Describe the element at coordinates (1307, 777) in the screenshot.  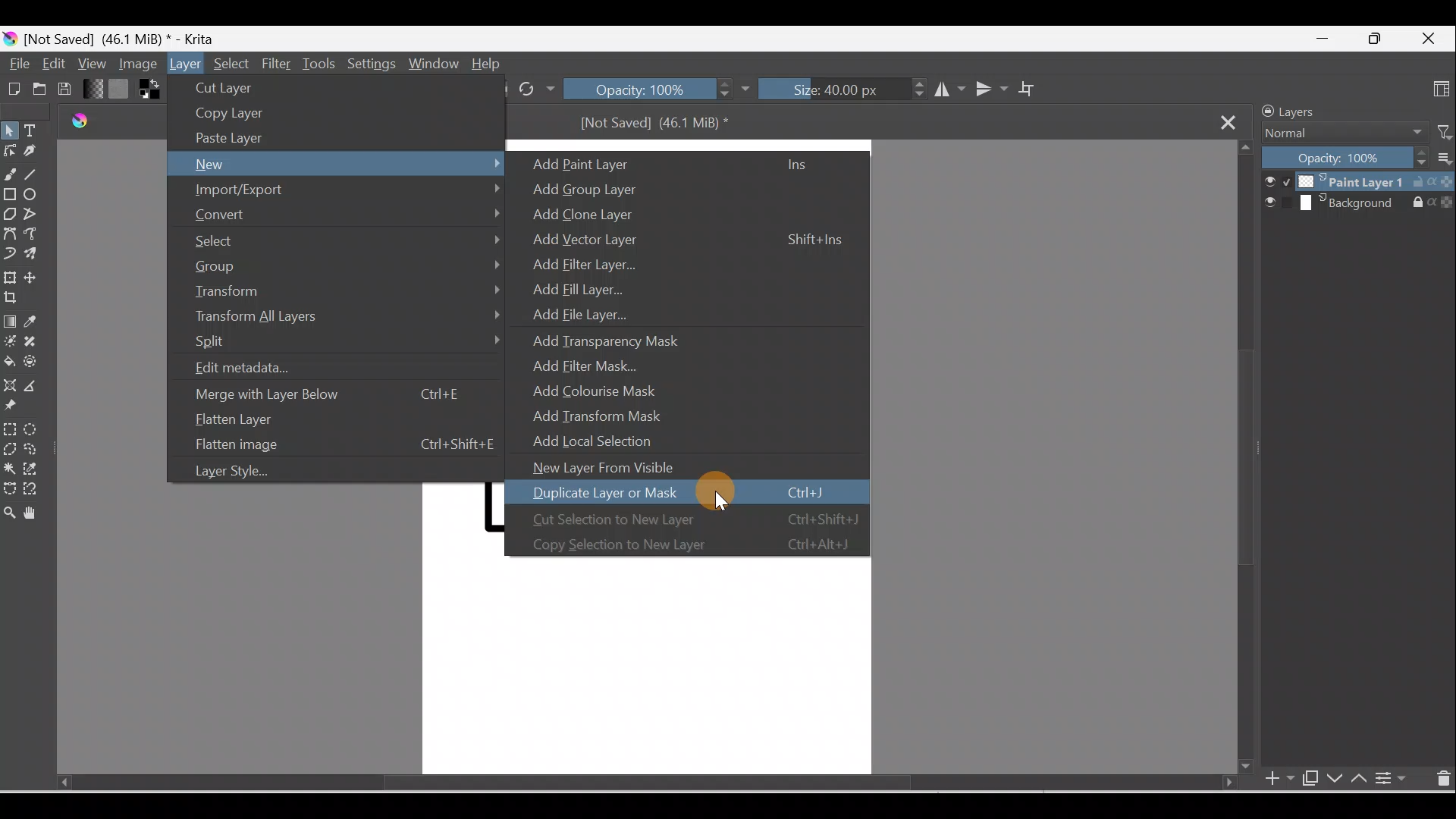
I see `Duplicate layer/mask` at that location.